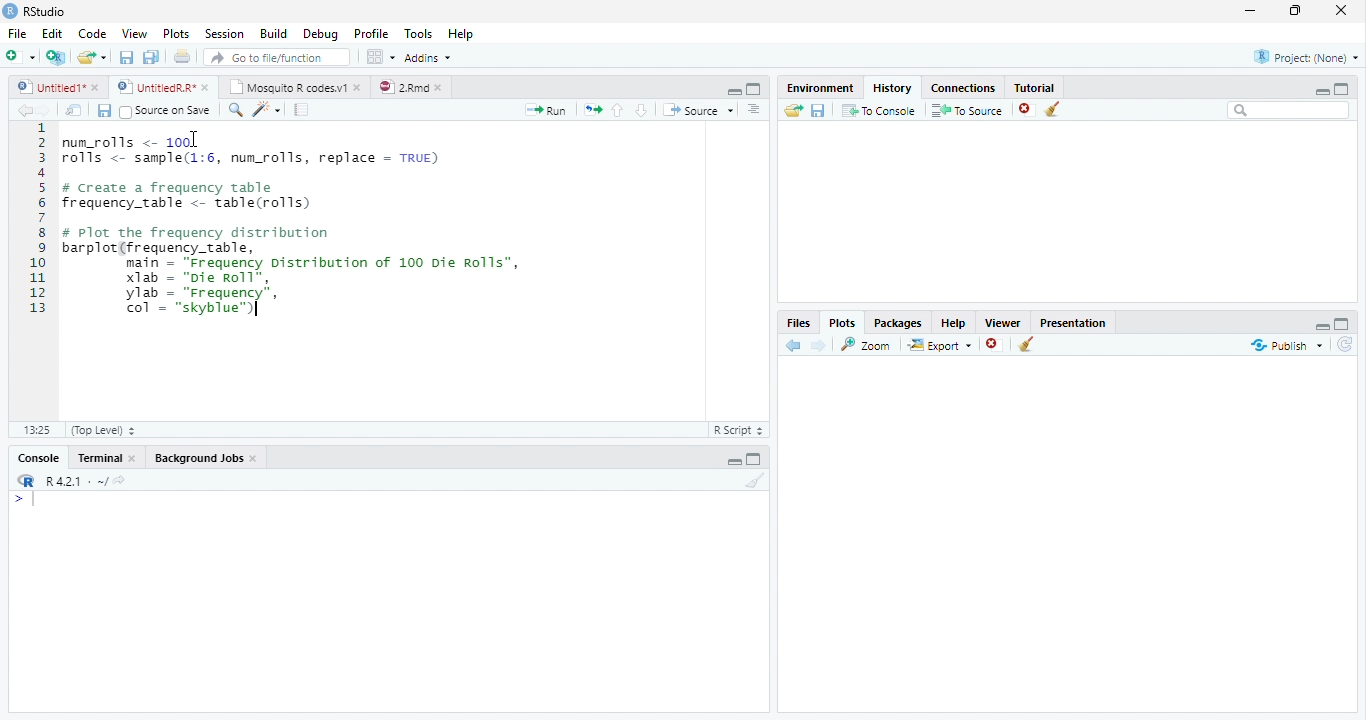  What do you see at coordinates (275, 33) in the screenshot?
I see `Build` at bounding box center [275, 33].